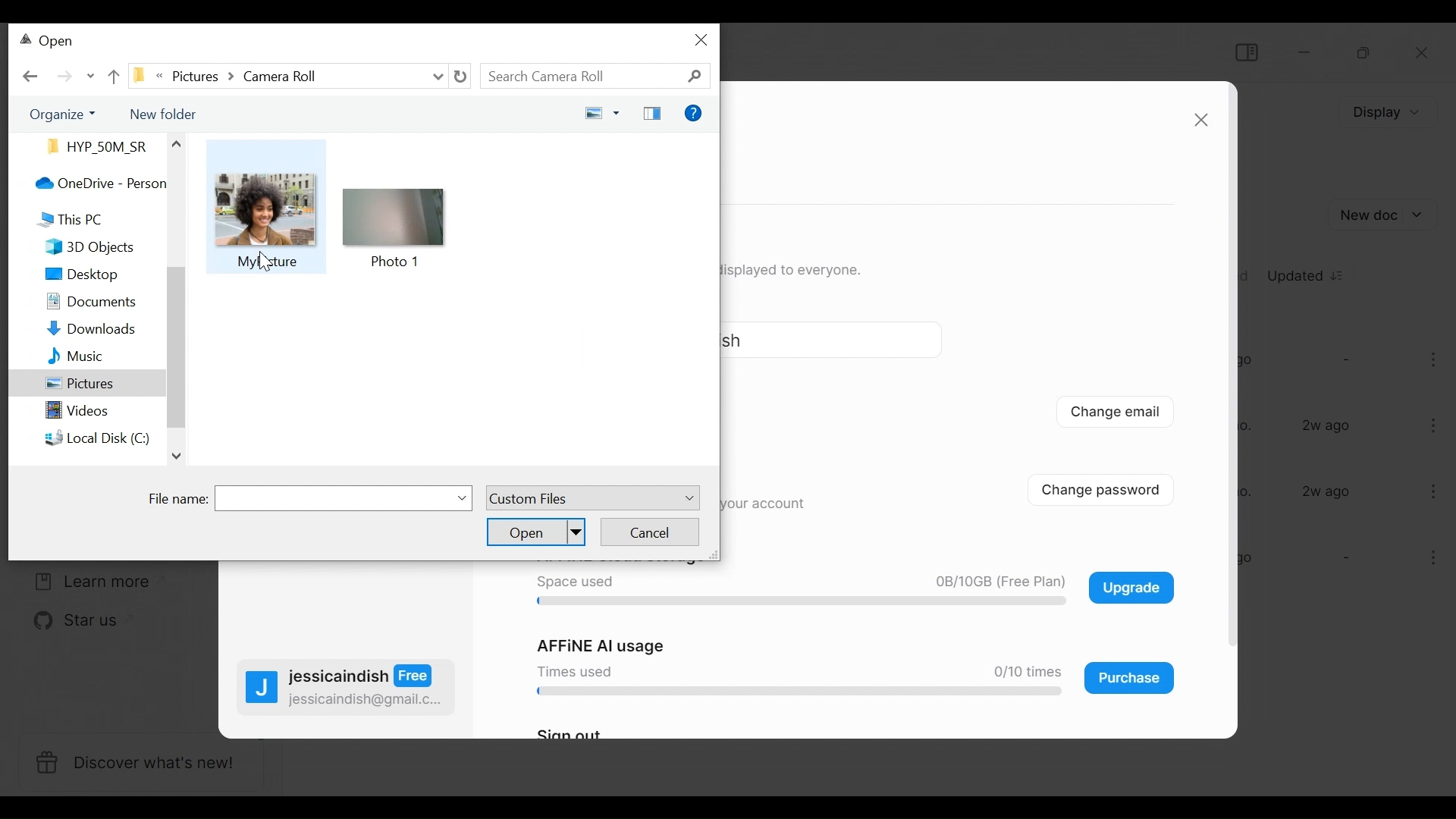 The height and width of the screenshot is (819, 1456). I want to click on profile, so click(262, 690).